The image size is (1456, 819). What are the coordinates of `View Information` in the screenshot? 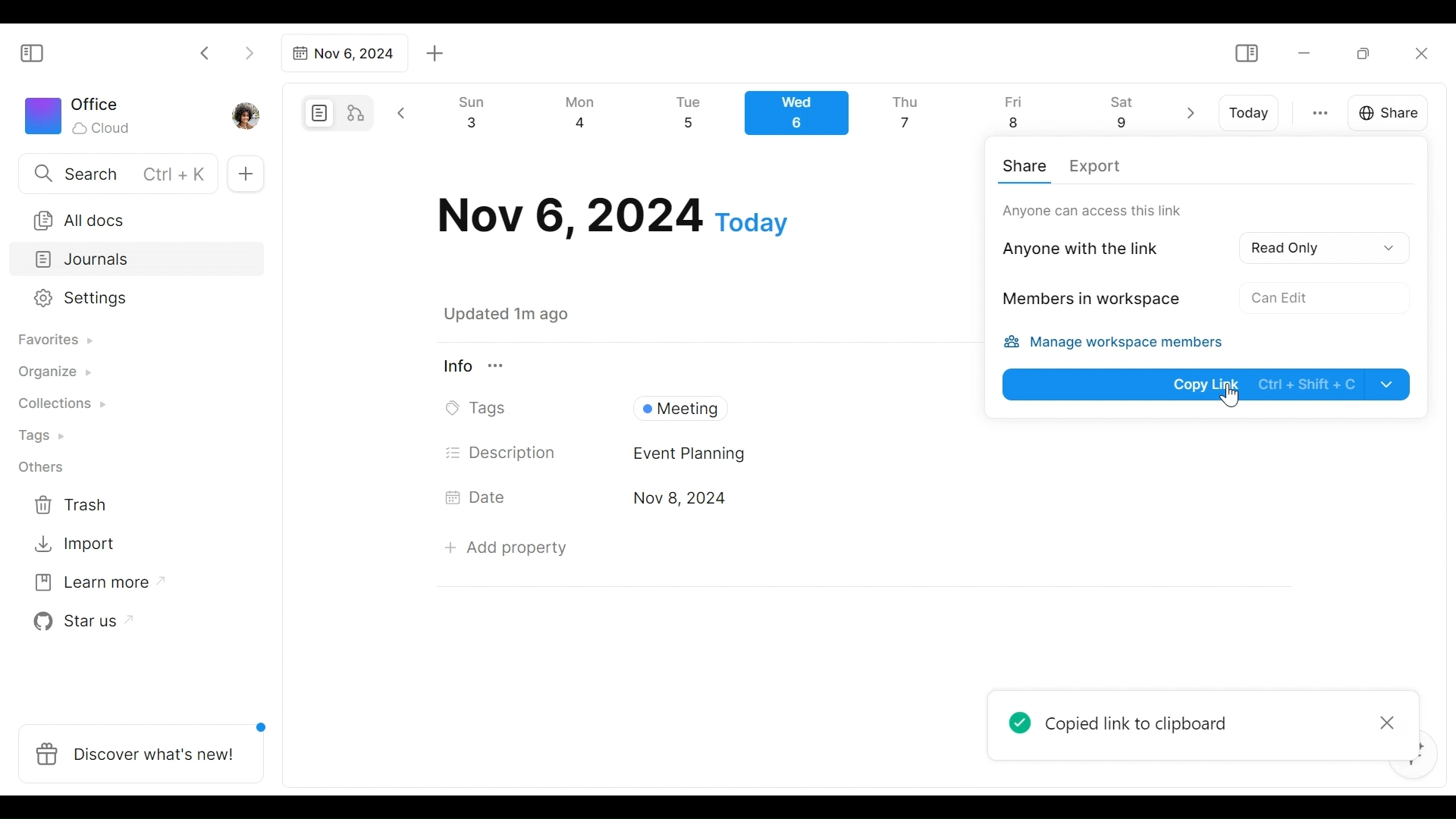 It's located at (700, 366).